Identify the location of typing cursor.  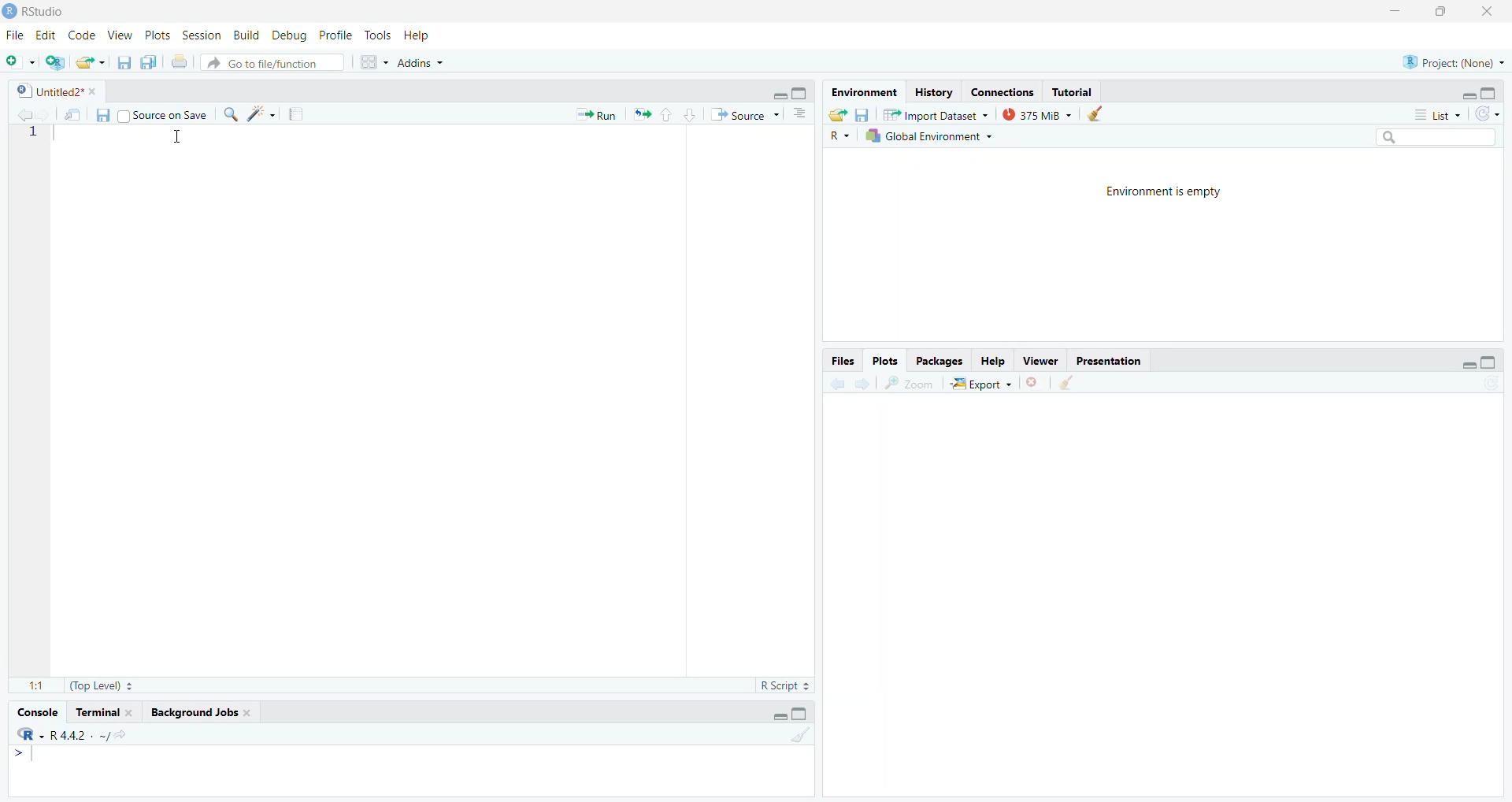
(31, 759).